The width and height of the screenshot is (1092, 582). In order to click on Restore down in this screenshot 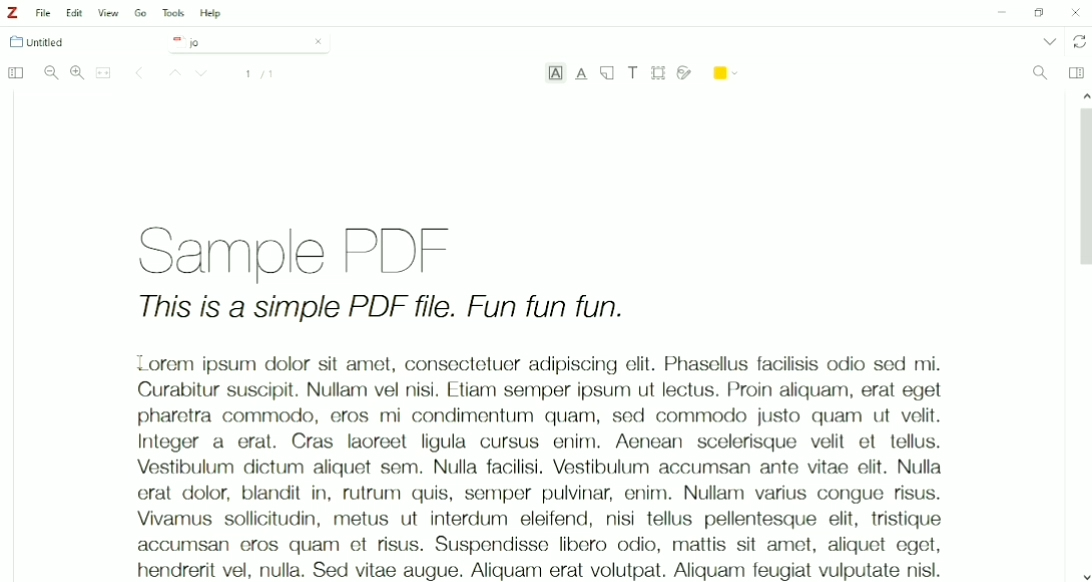, I will do `click(1038, 13)`.